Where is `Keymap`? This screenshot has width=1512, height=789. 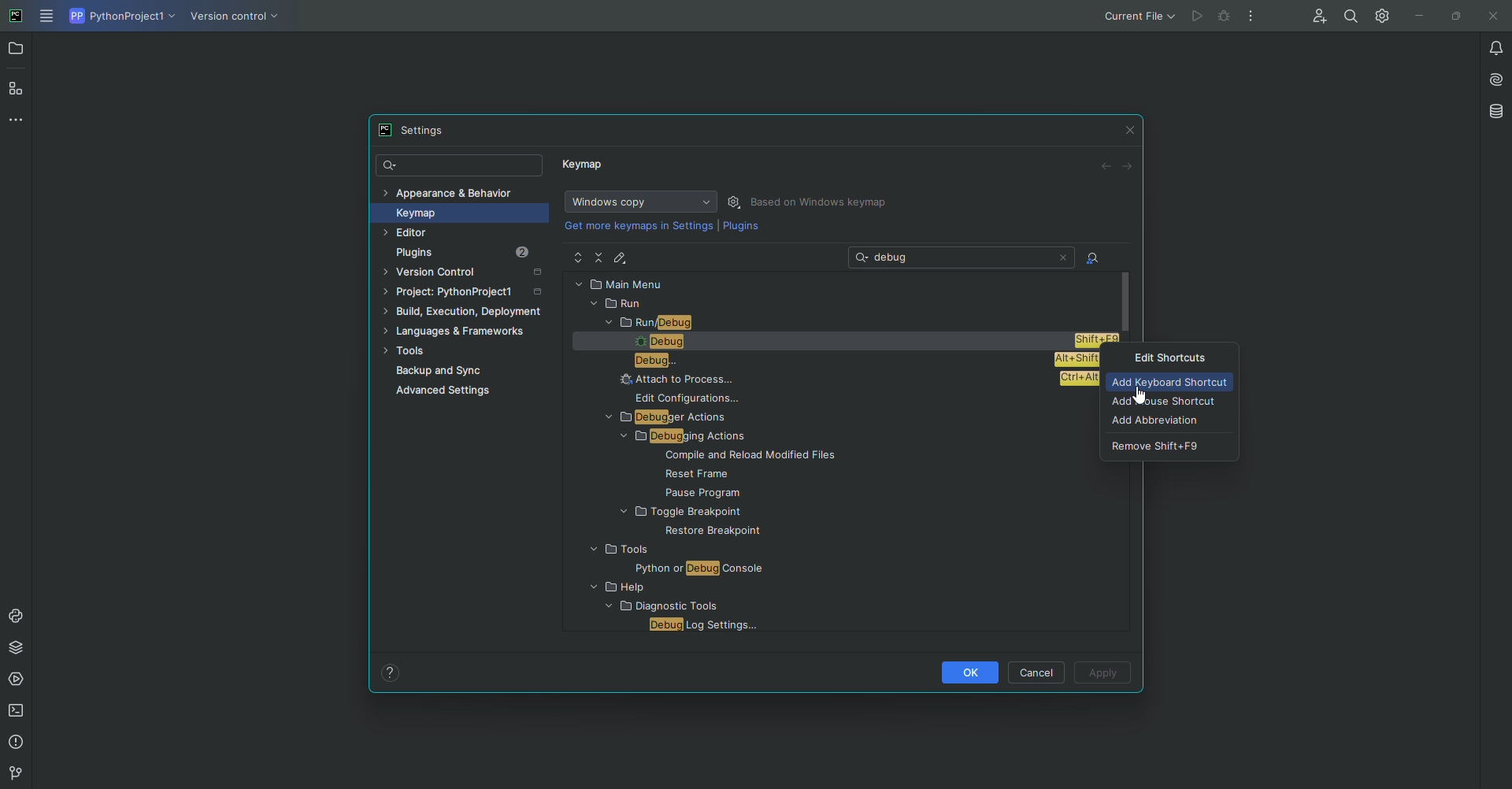 Keymap is located at coordinates (454, 213).